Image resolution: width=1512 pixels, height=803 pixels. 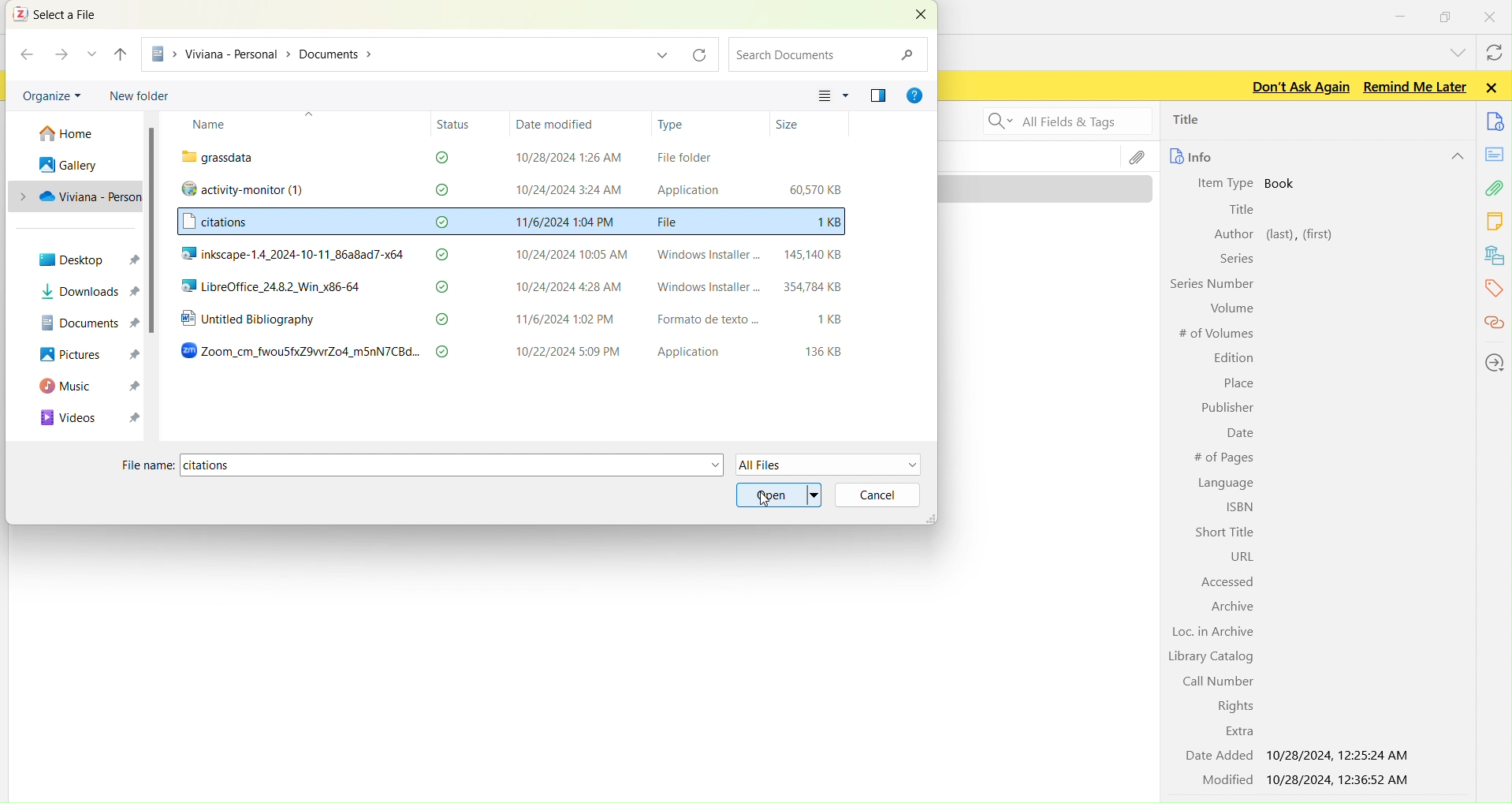 I want to click on new folder, so click(x=139, y=96).